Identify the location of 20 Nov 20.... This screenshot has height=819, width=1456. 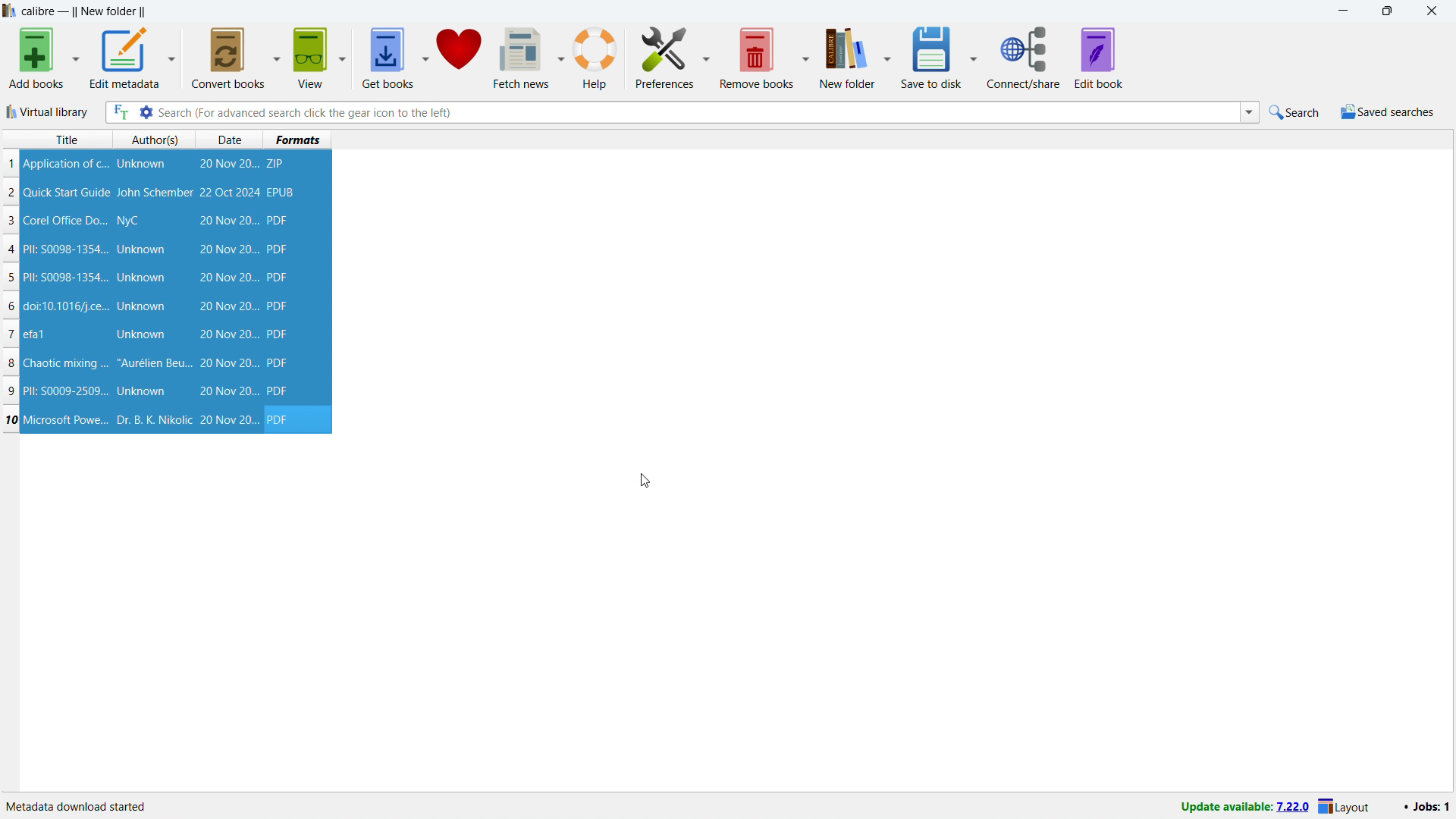
(227, 363).